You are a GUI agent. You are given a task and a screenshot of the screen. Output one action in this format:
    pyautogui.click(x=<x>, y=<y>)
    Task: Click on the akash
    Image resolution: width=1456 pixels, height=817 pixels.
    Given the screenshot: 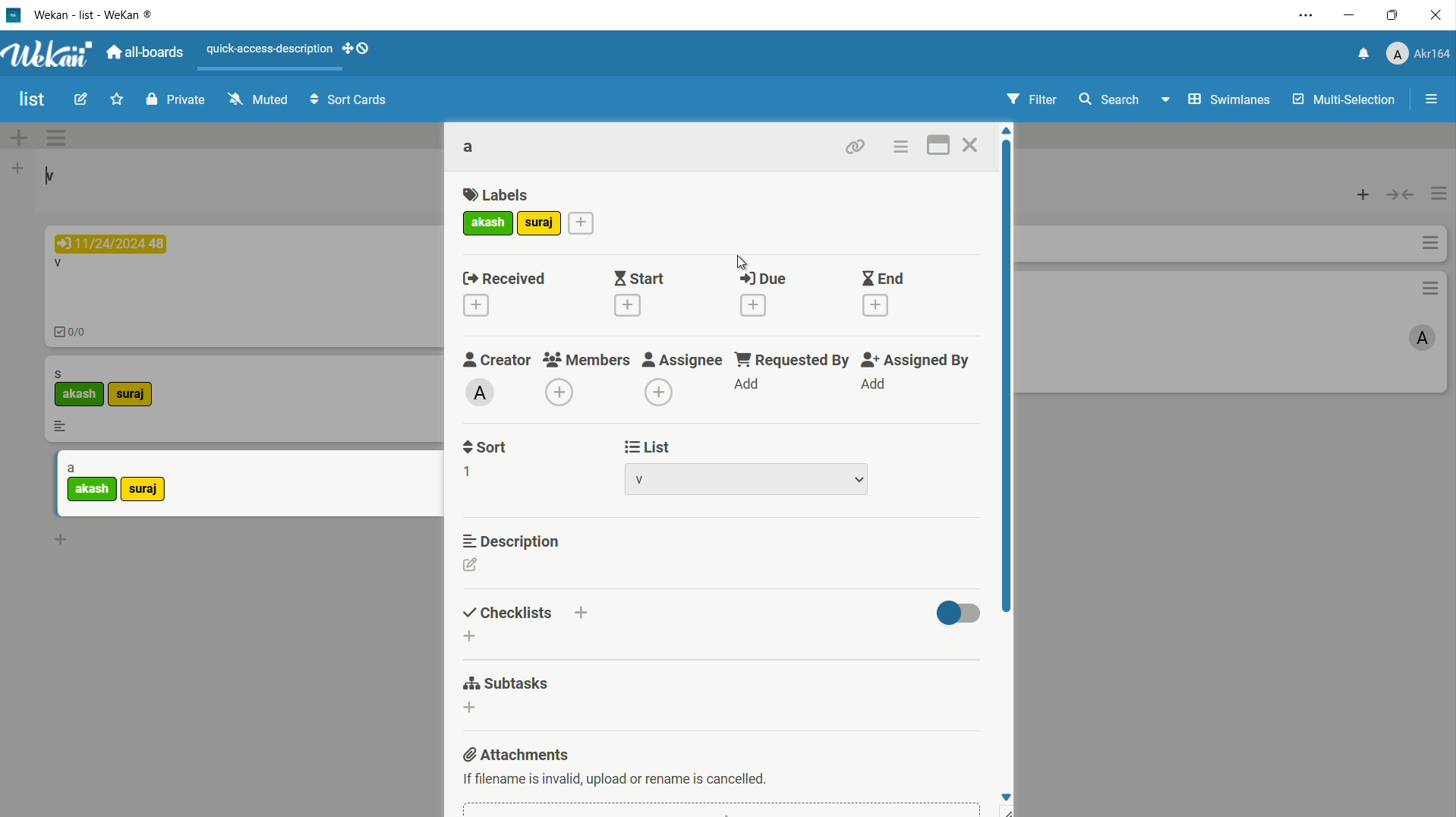 What is the action you would take?
    pyautogui.click(x=80, y=393)
    